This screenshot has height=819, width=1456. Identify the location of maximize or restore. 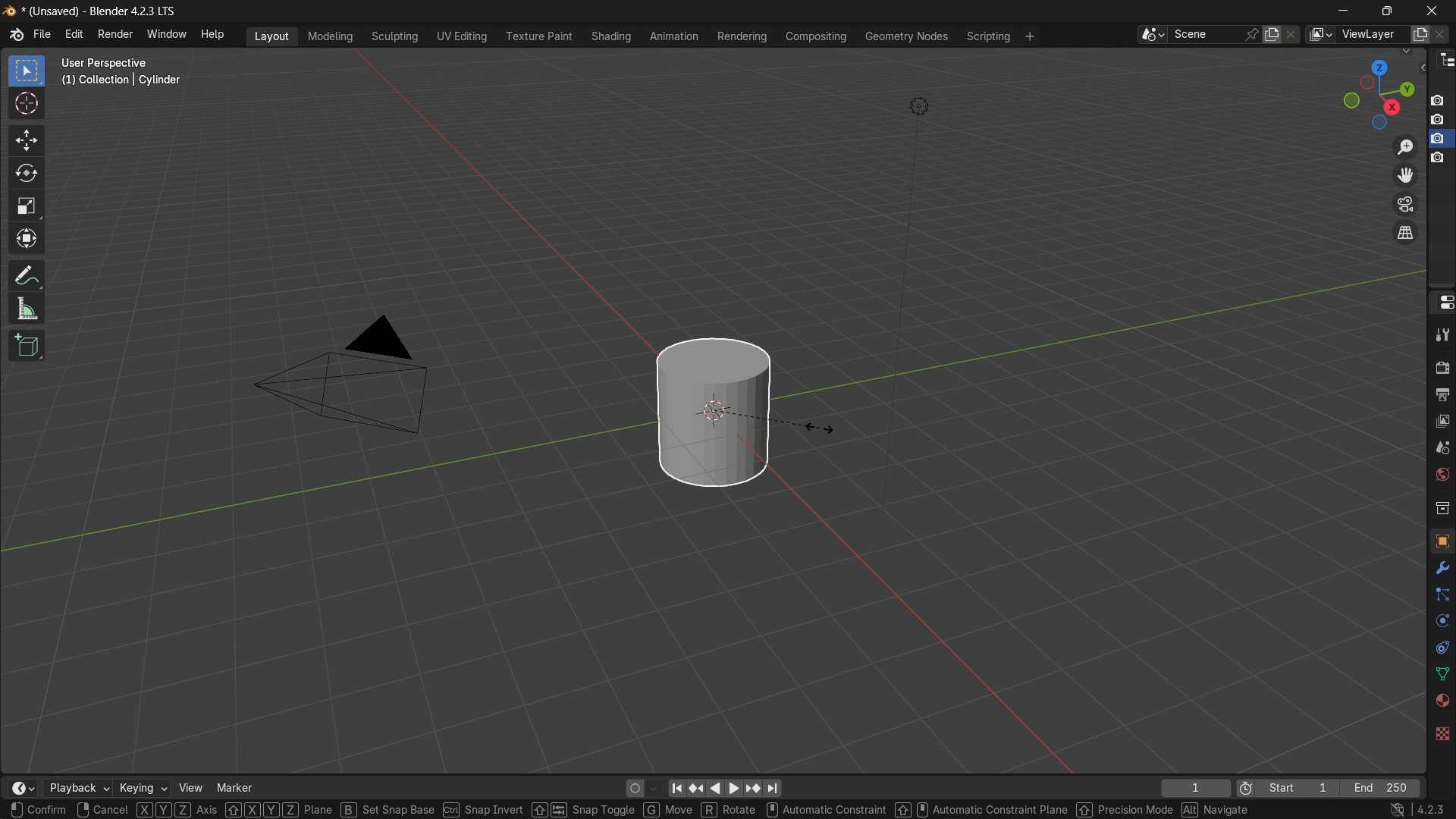
(1389, 10).